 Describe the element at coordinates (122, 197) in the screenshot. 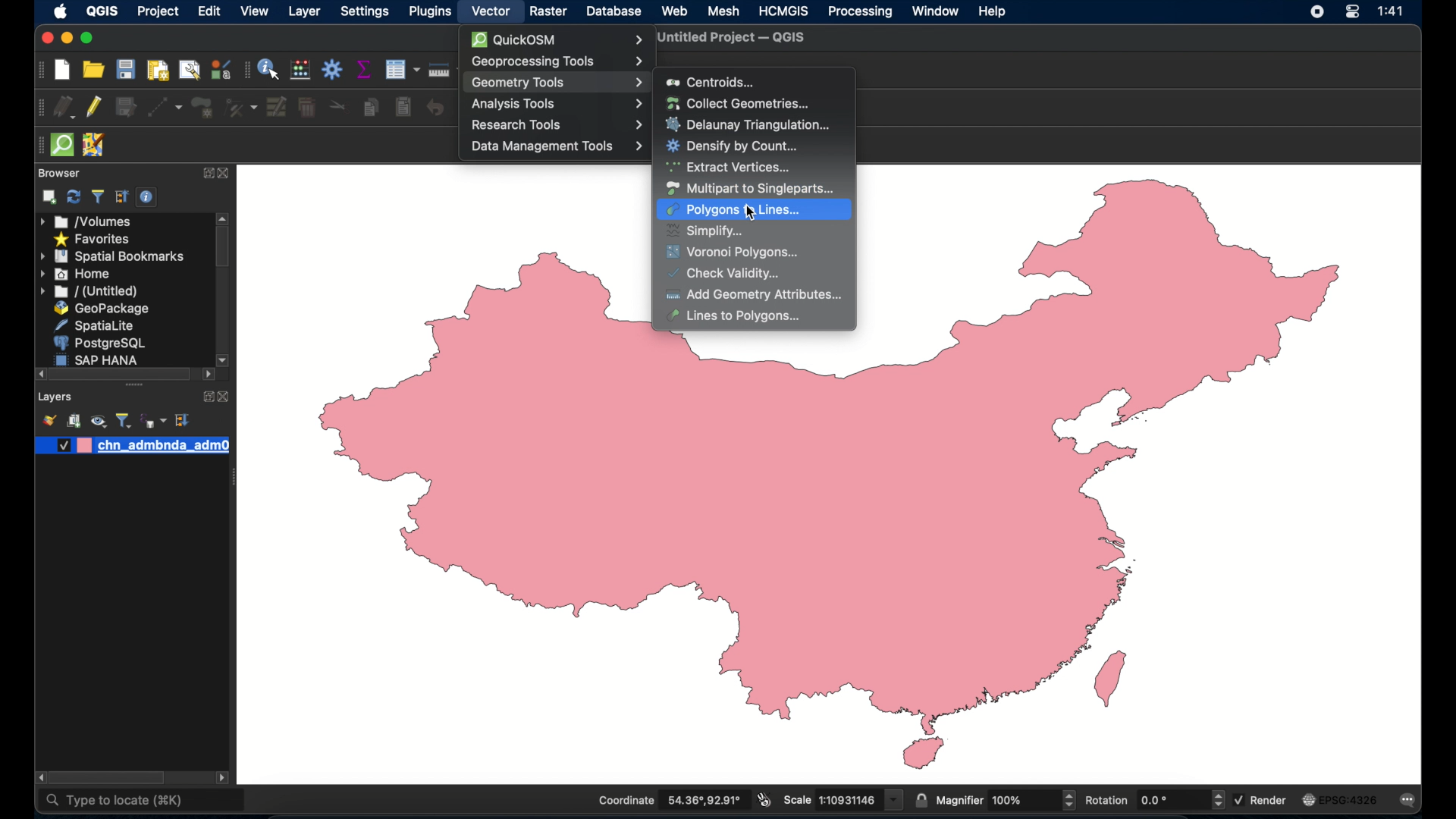

I see `expand all` at that location.